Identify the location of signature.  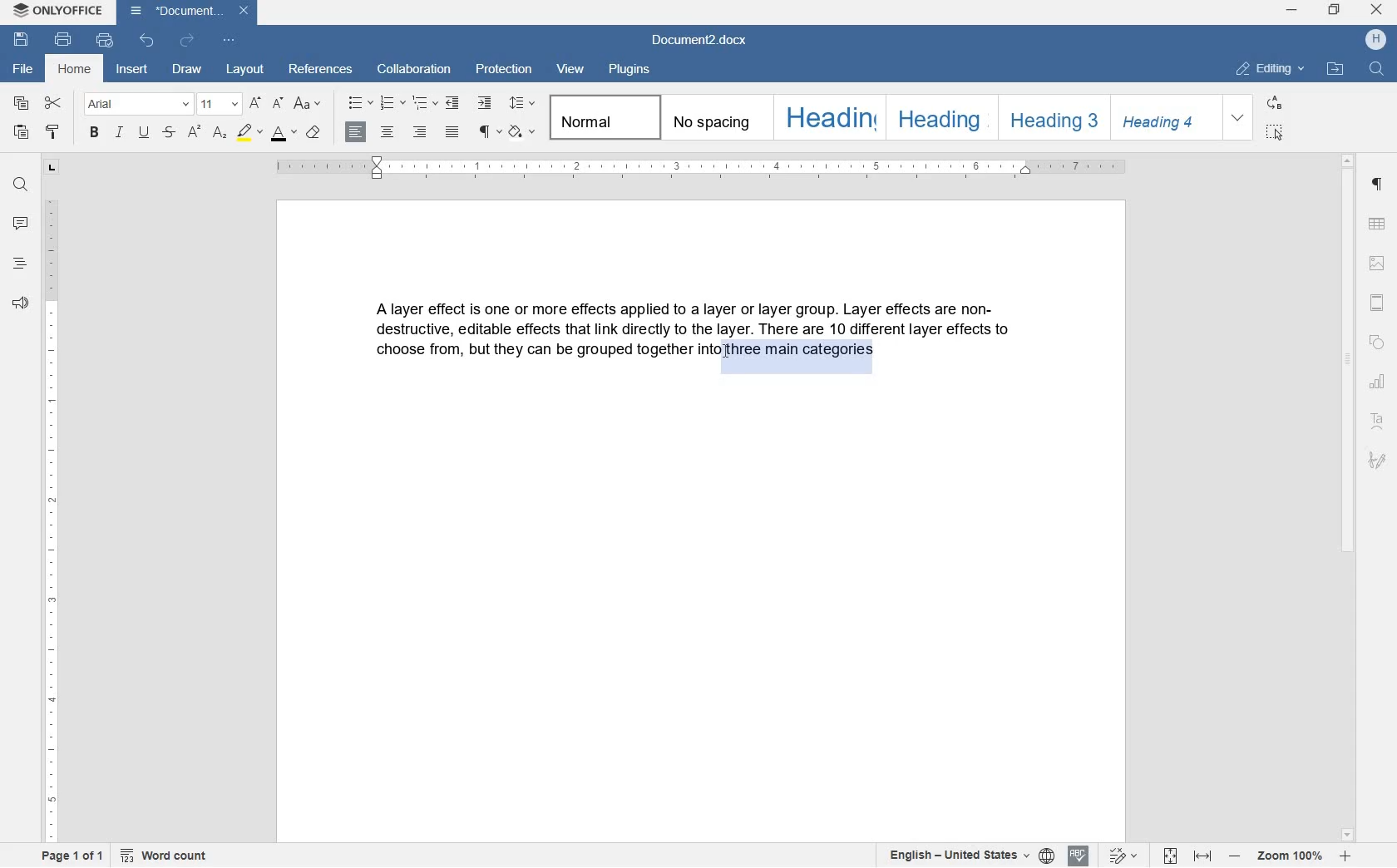
(1378, 461).